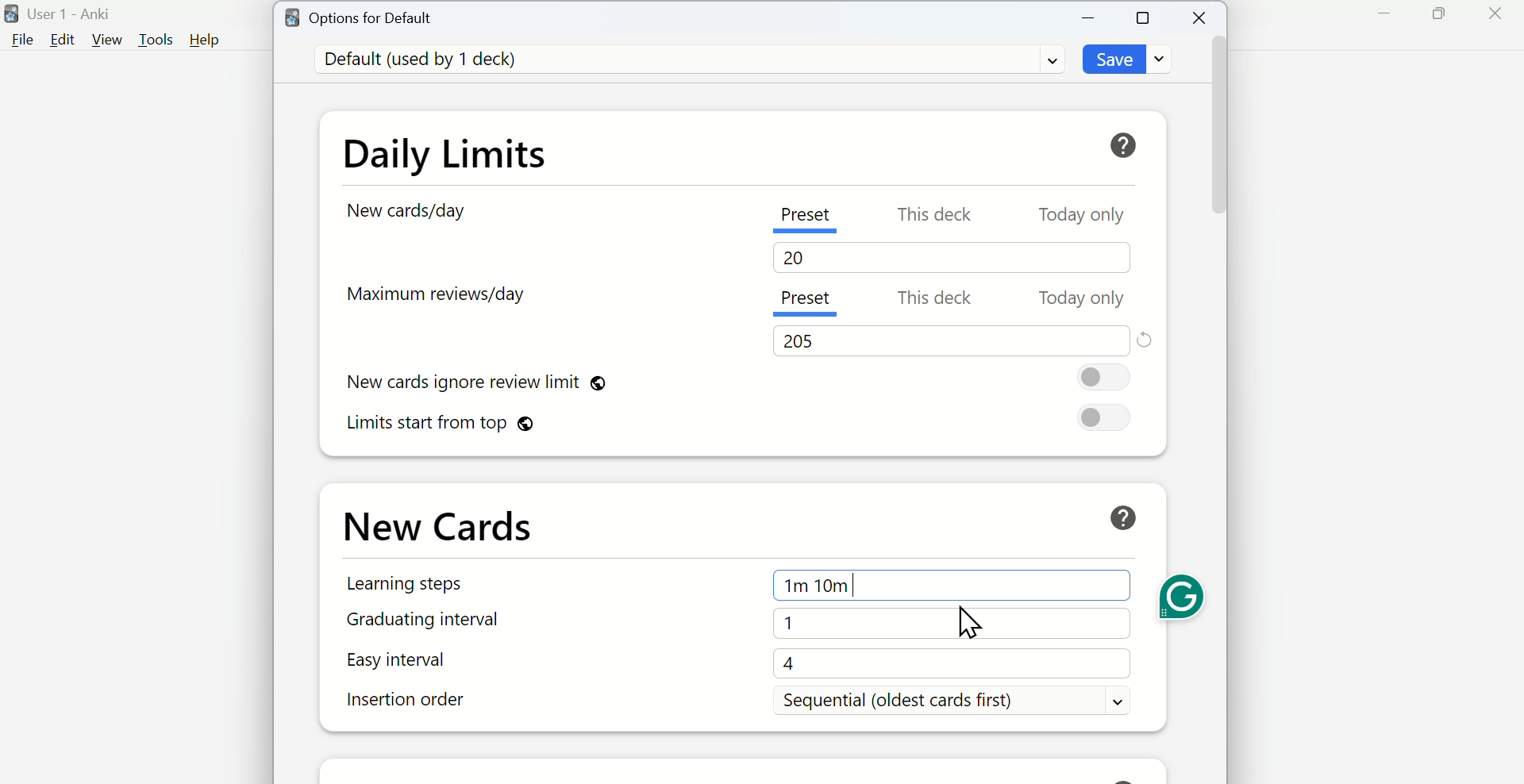  I want to click on Present, so click(807, 299).